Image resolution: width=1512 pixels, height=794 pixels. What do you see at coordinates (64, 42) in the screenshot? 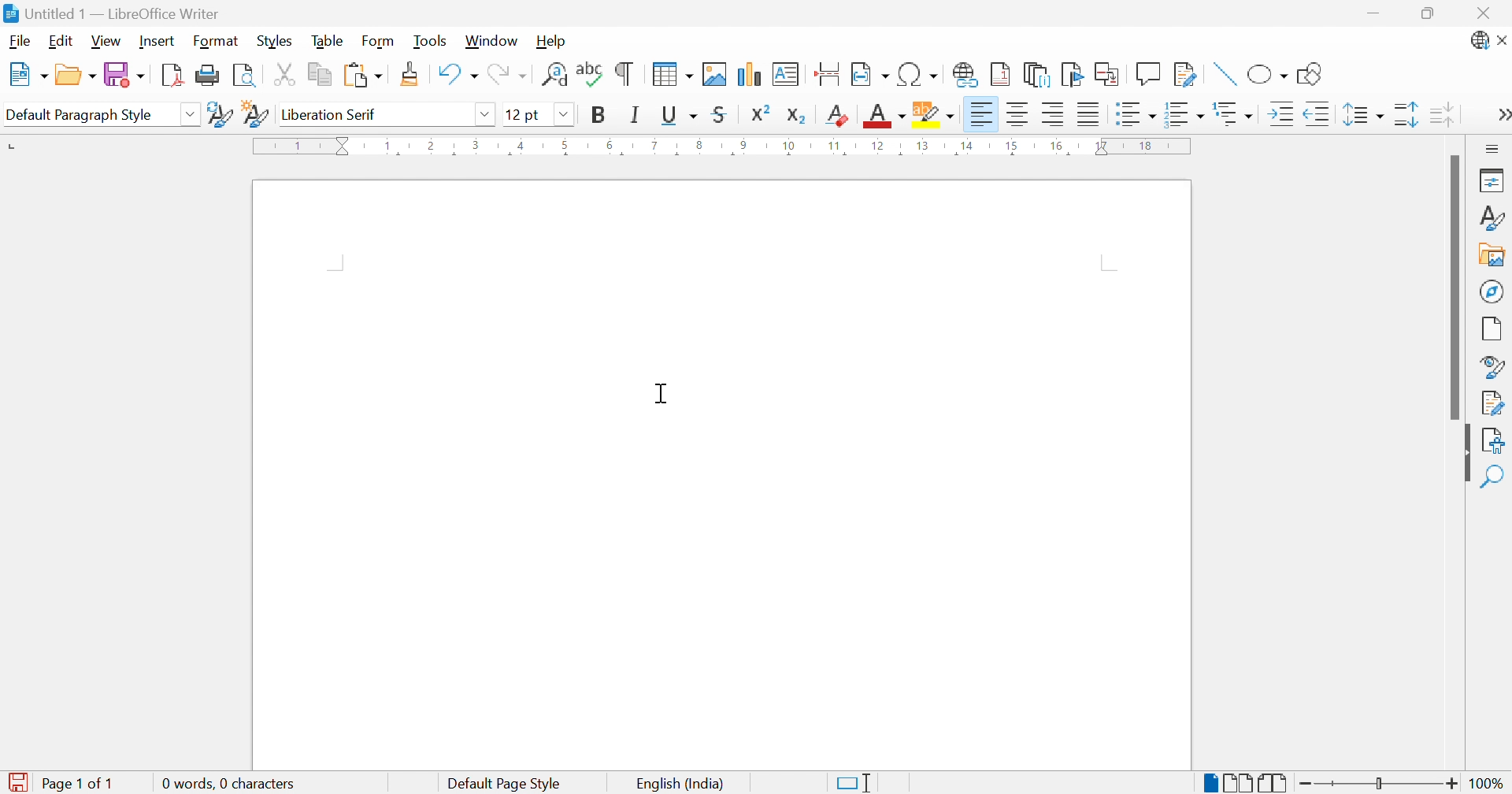
I see `Edit` at bounding box center [64, 42].